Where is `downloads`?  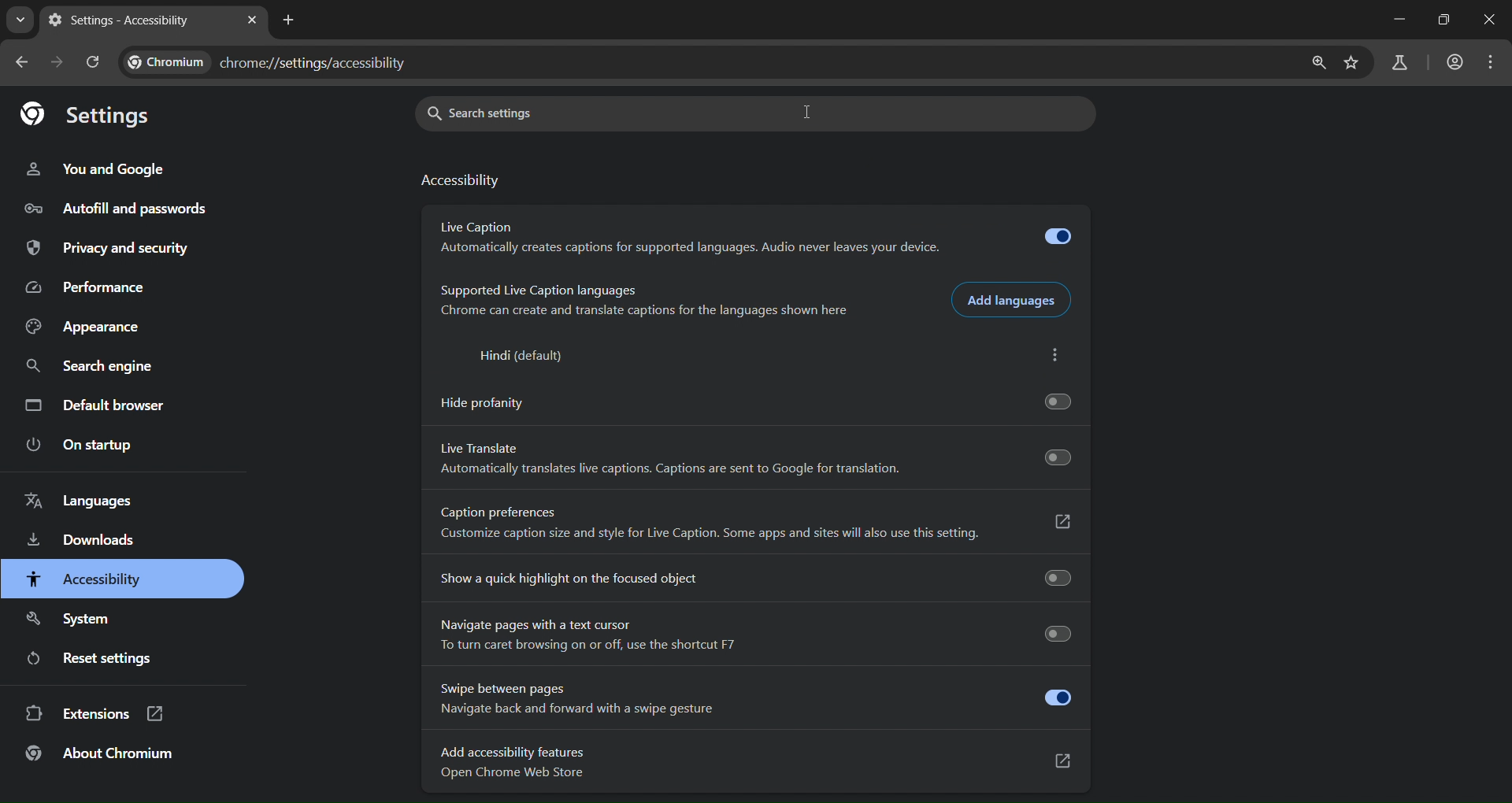
downloads is located at coordinates (83, 542).